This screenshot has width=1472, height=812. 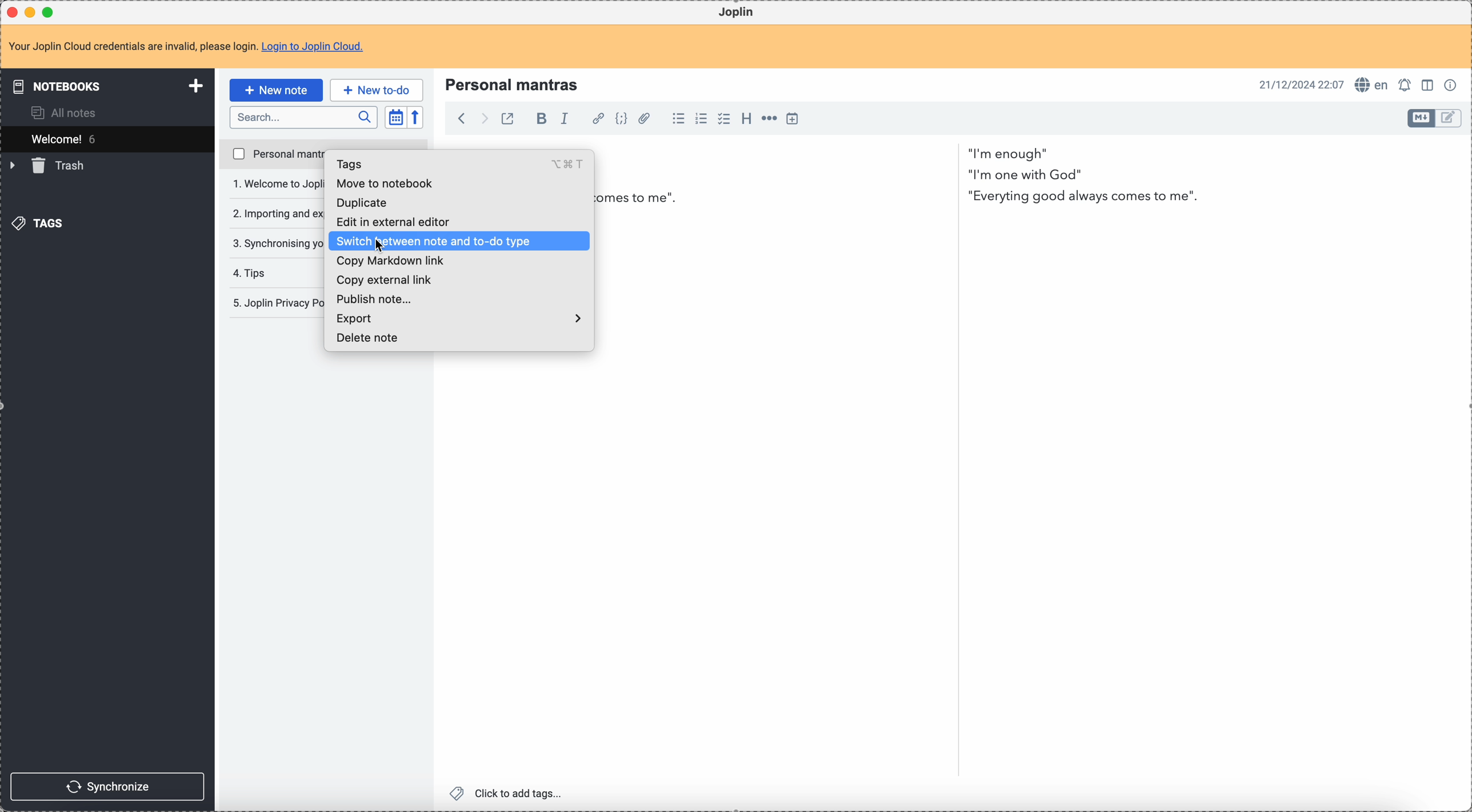 I want to click on bold, so click(x=541, y=119).